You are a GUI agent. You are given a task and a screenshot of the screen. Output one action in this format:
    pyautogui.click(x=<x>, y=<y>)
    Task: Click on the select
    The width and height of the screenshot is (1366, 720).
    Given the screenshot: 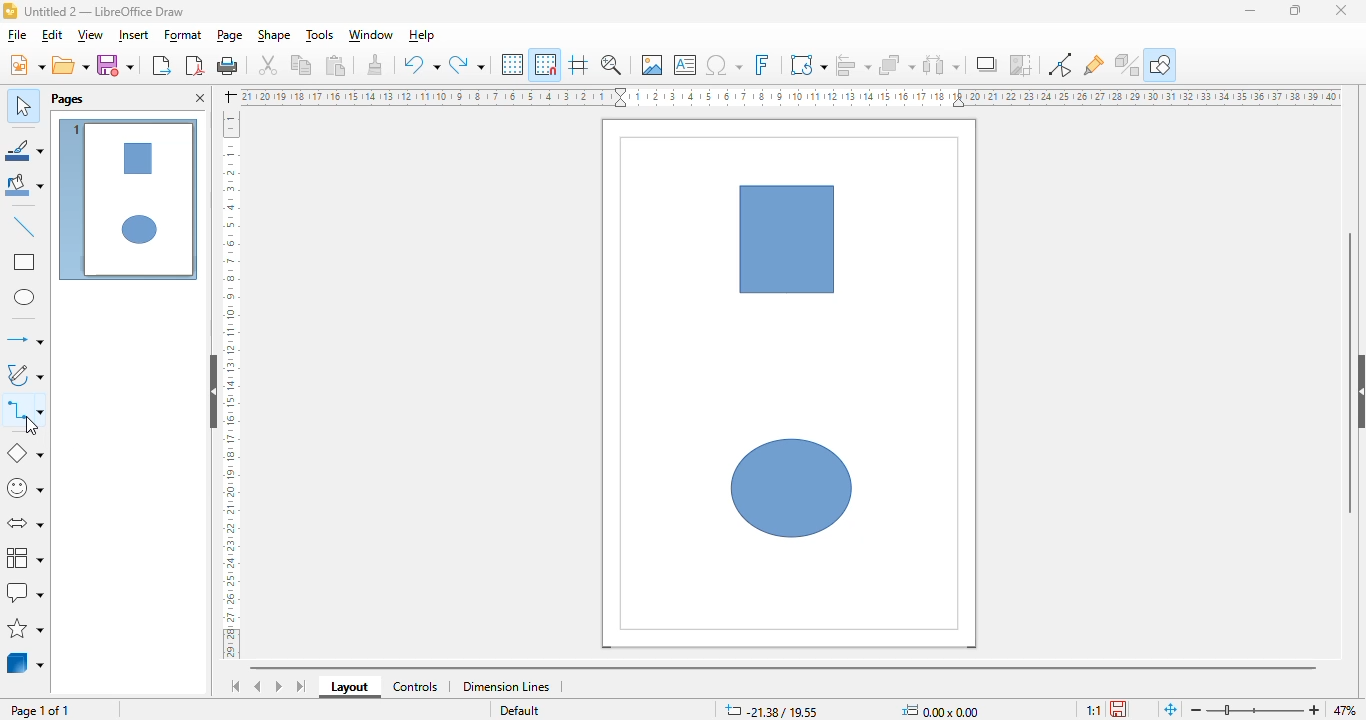 What is the action you would take?
    pyautogui.click(x=23, y=104)
    